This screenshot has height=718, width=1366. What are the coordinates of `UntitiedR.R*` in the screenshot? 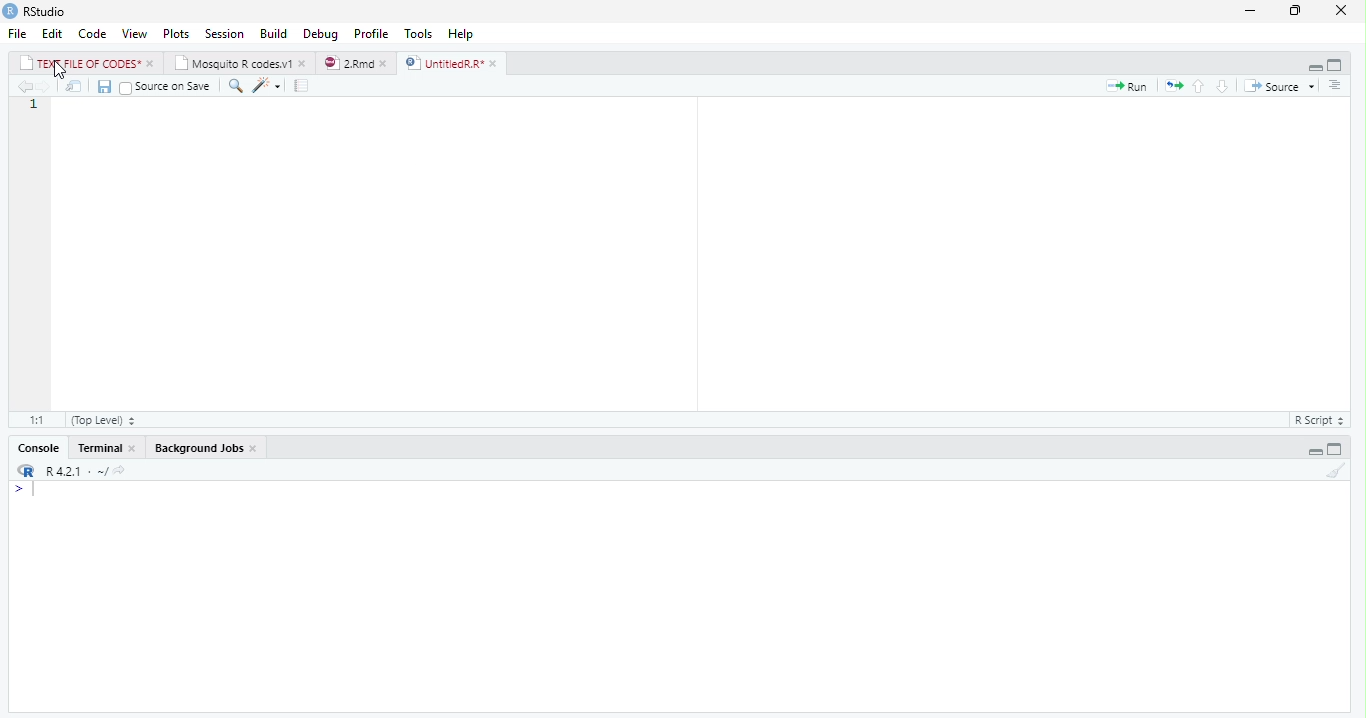 It's located at (454, 63).